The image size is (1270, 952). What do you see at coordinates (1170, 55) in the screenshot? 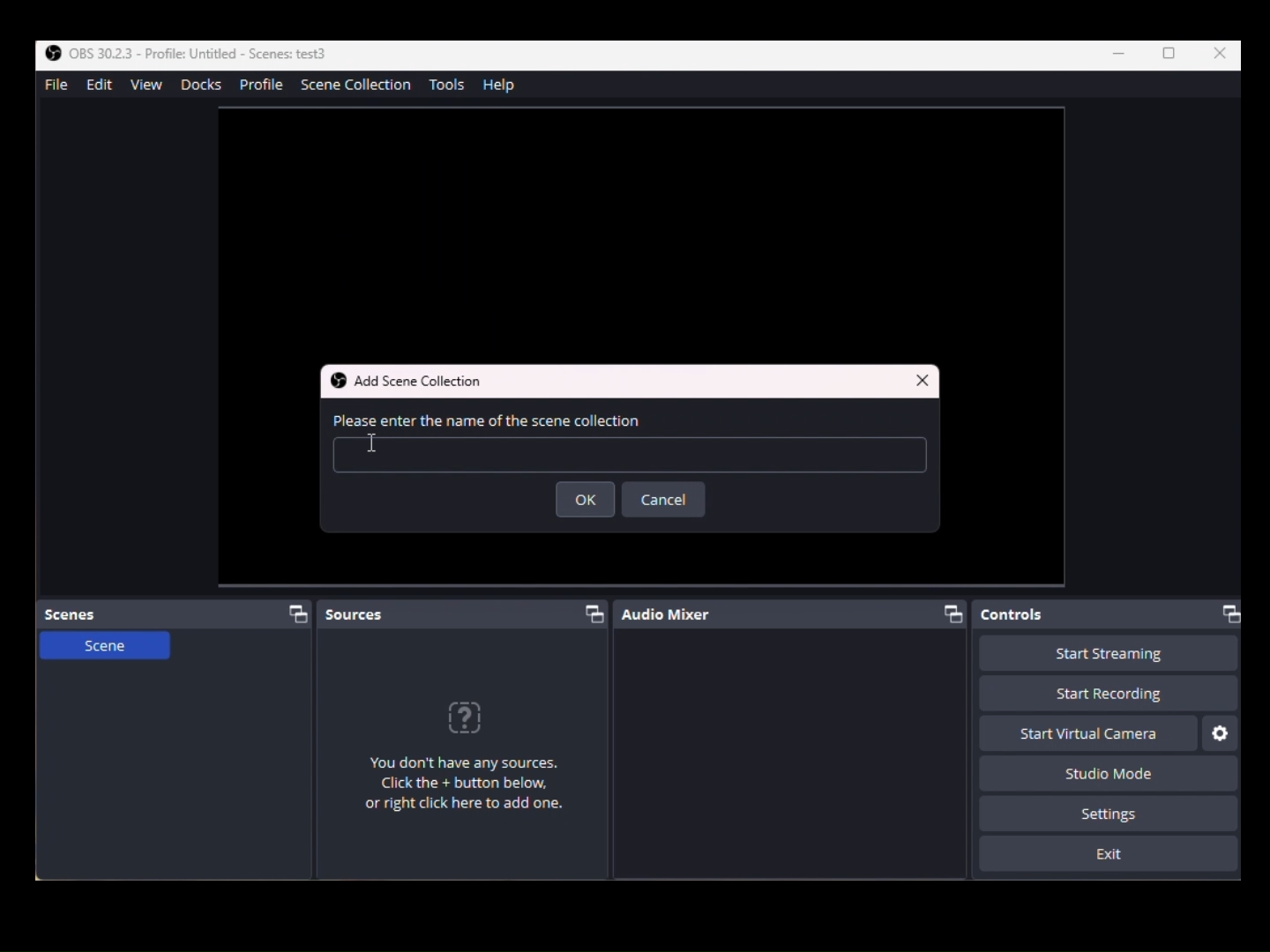
I see `Box` at bounding box center [1170, 55].